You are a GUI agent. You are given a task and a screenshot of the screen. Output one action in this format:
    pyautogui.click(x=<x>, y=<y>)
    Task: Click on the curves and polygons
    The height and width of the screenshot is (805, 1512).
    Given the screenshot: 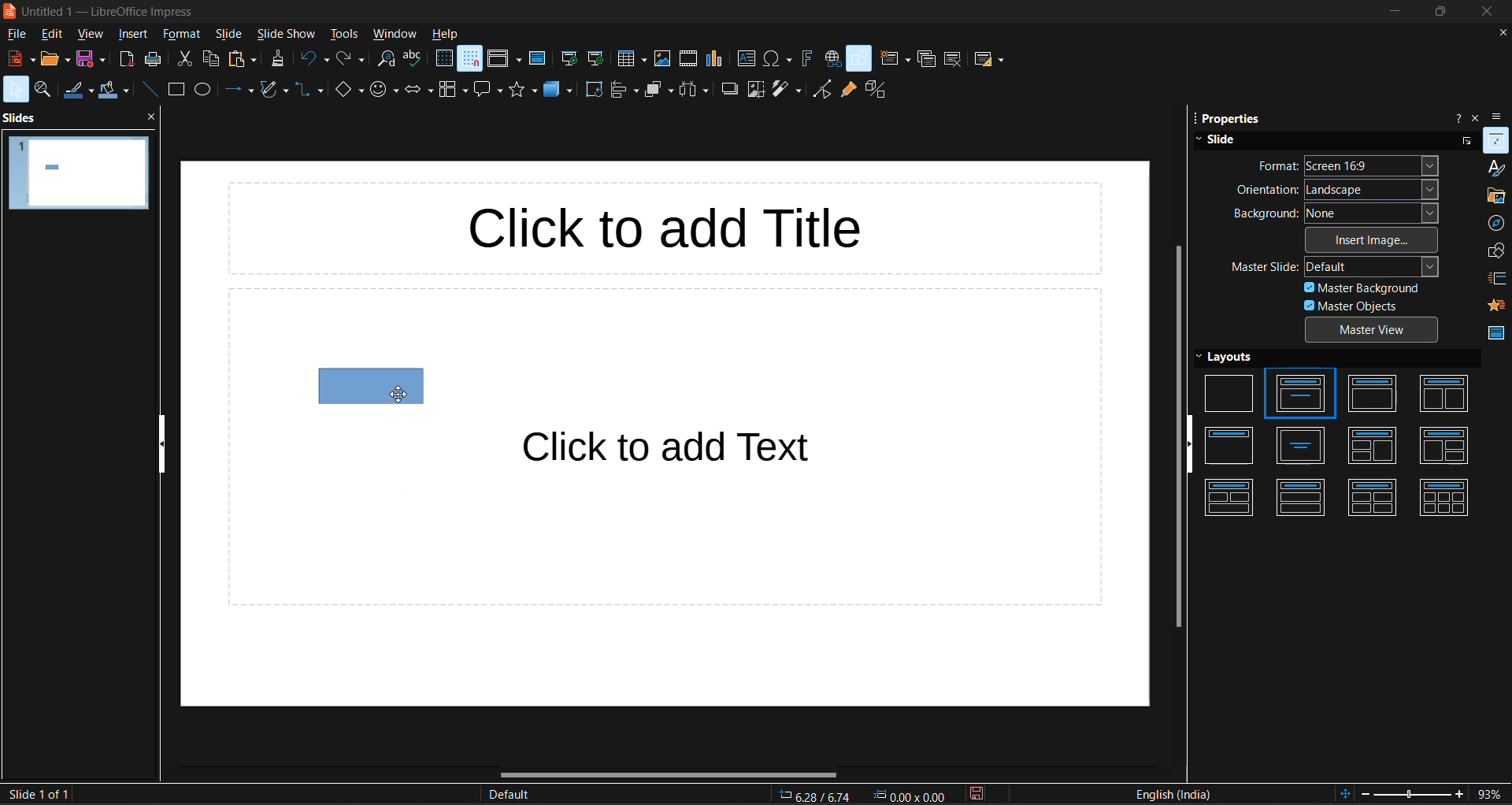 What is the action you would take?
    pyautogui.click(x=272, y=90)
    